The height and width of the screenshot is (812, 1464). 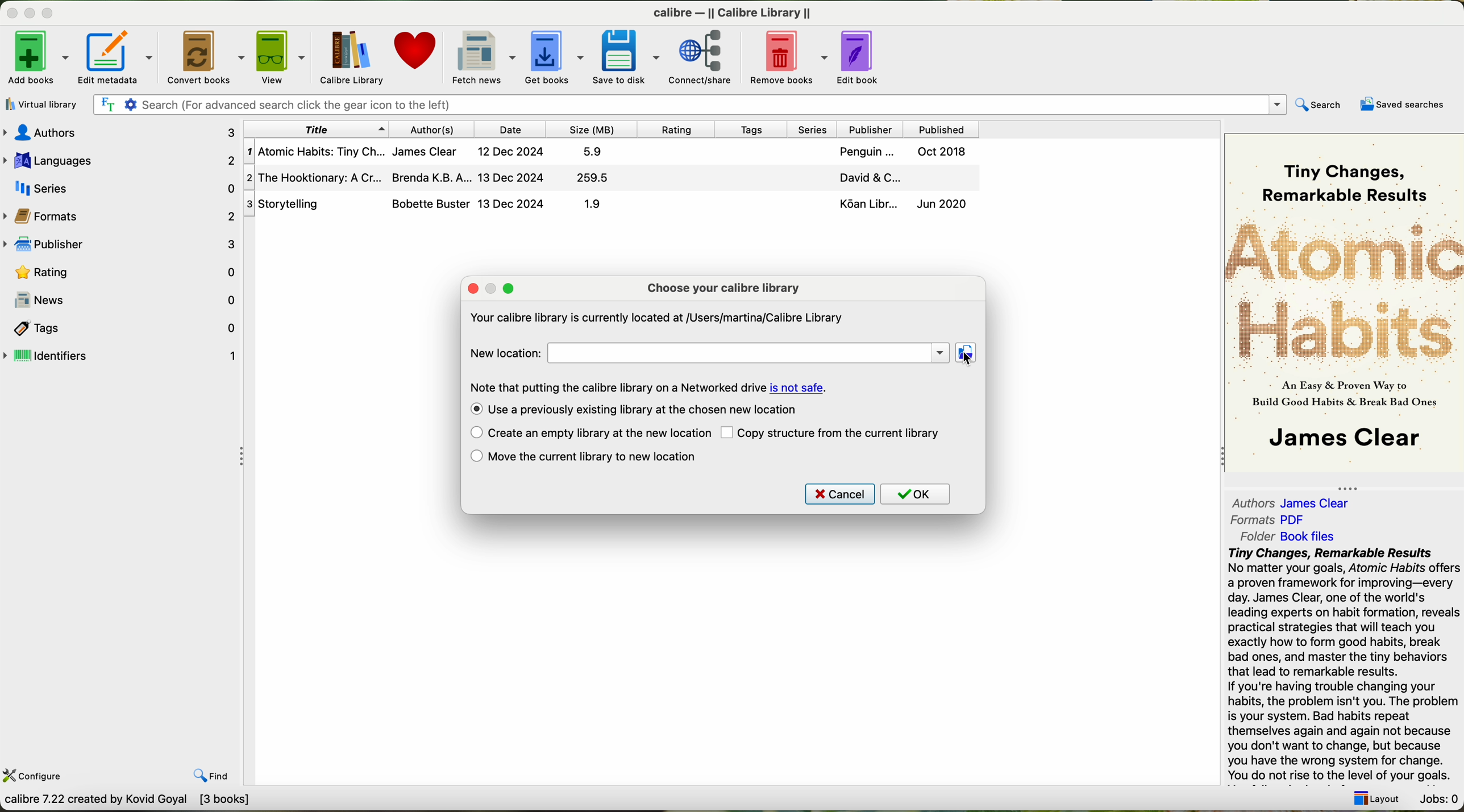 I want to click on move the current library to new location, so click(x=600, y=457).